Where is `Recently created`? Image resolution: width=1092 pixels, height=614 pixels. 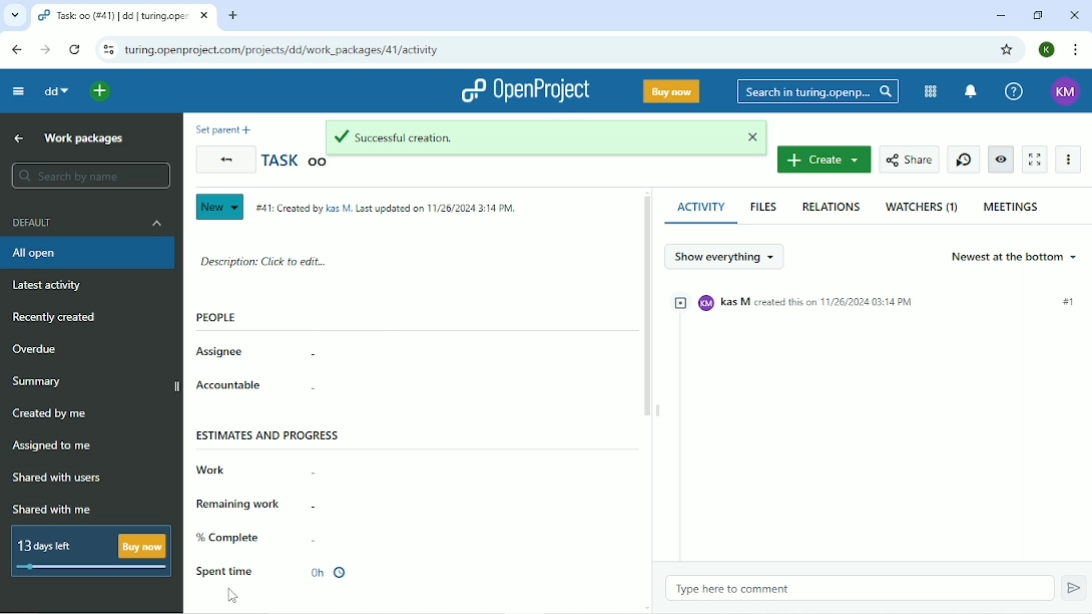
Recently created is located at coordinates (56, 317).